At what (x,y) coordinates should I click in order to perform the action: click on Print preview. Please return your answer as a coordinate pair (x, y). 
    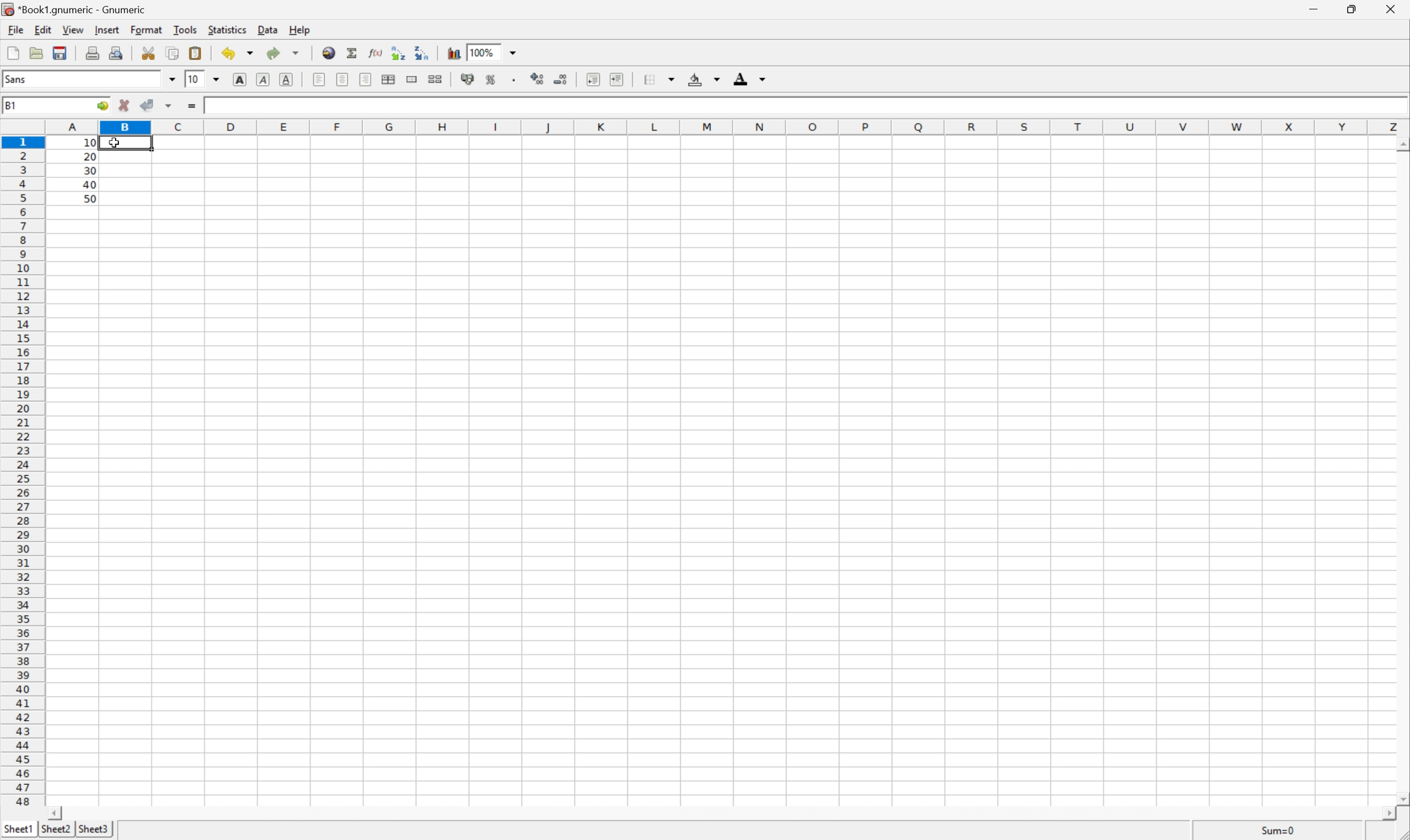
    Looking at the image, I should click on (117, 52).